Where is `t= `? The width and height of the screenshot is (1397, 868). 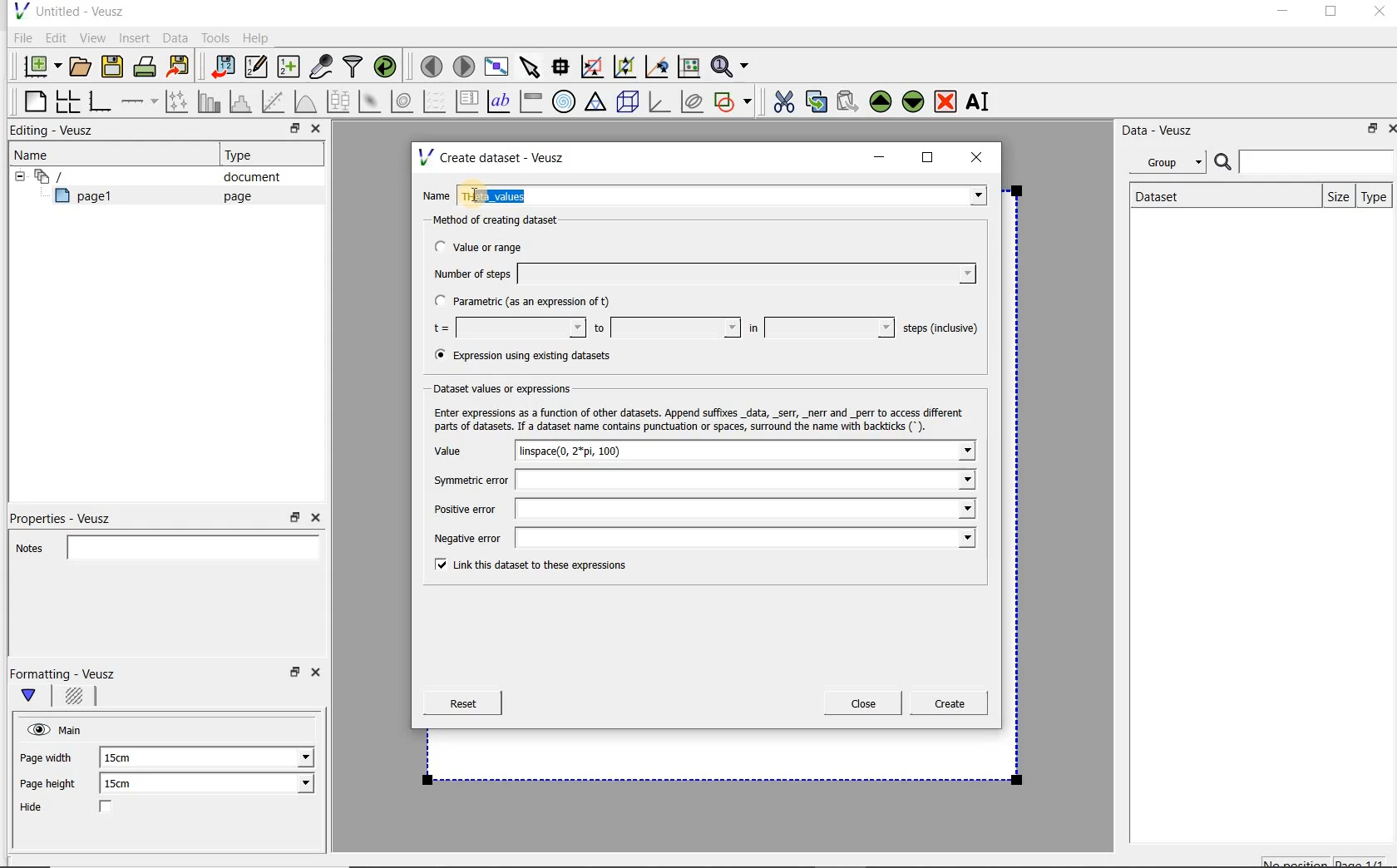 t=  is located at coordinates (506, 328).